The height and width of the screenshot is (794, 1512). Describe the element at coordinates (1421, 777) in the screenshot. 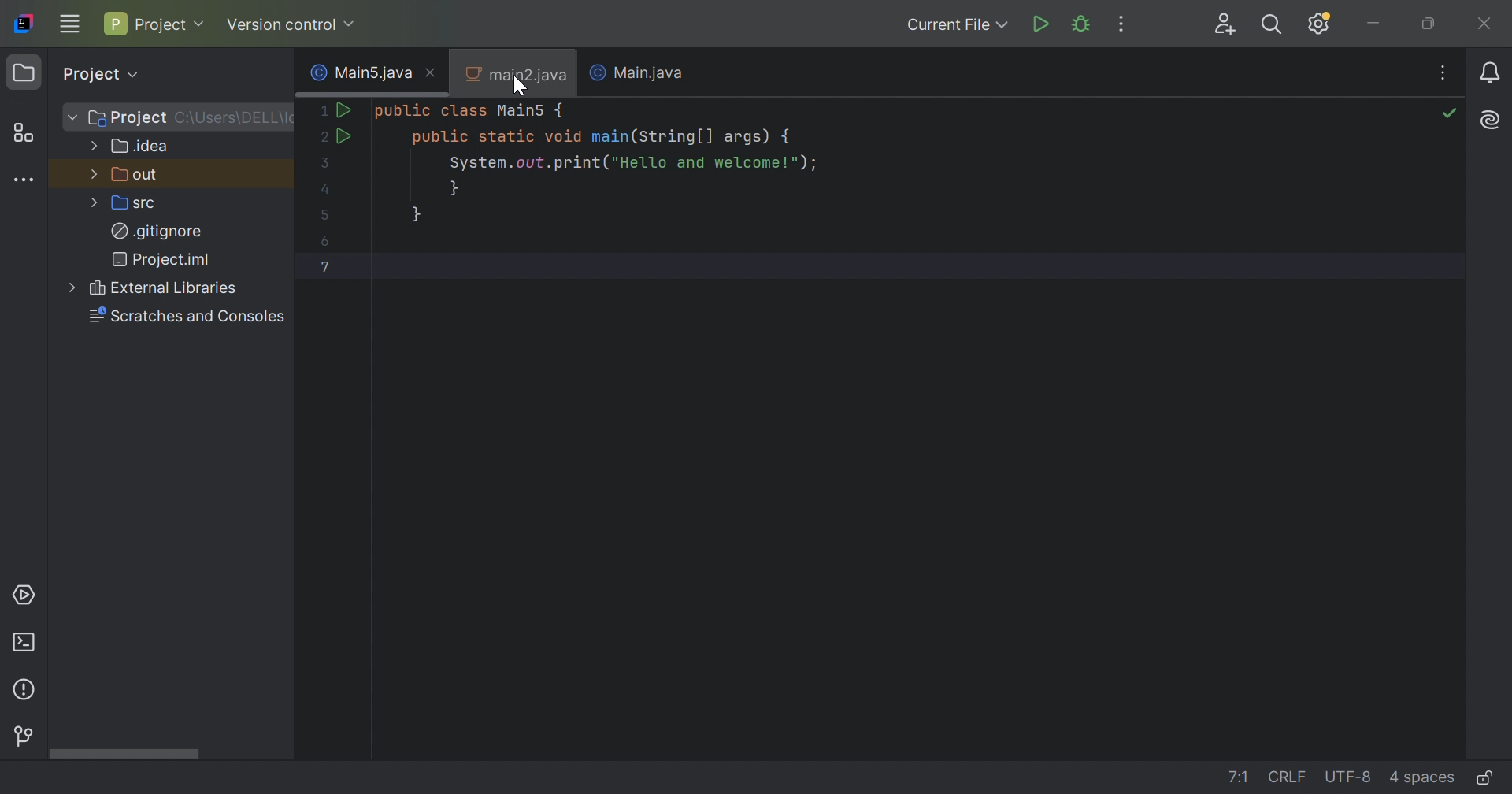

I see `4 spaces` at that location.